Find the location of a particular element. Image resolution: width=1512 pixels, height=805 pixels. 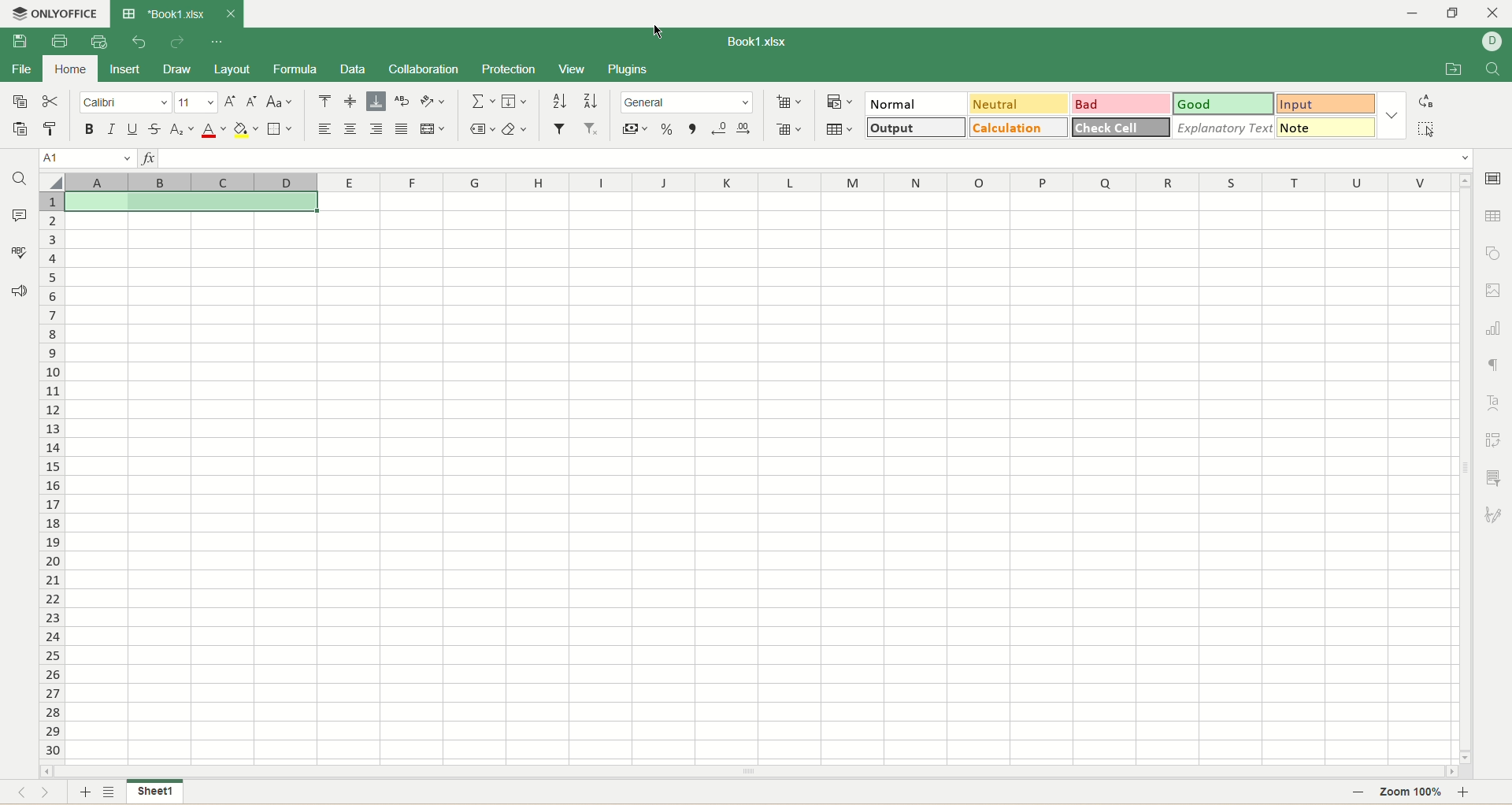

table is located at coordinates (843, 129).